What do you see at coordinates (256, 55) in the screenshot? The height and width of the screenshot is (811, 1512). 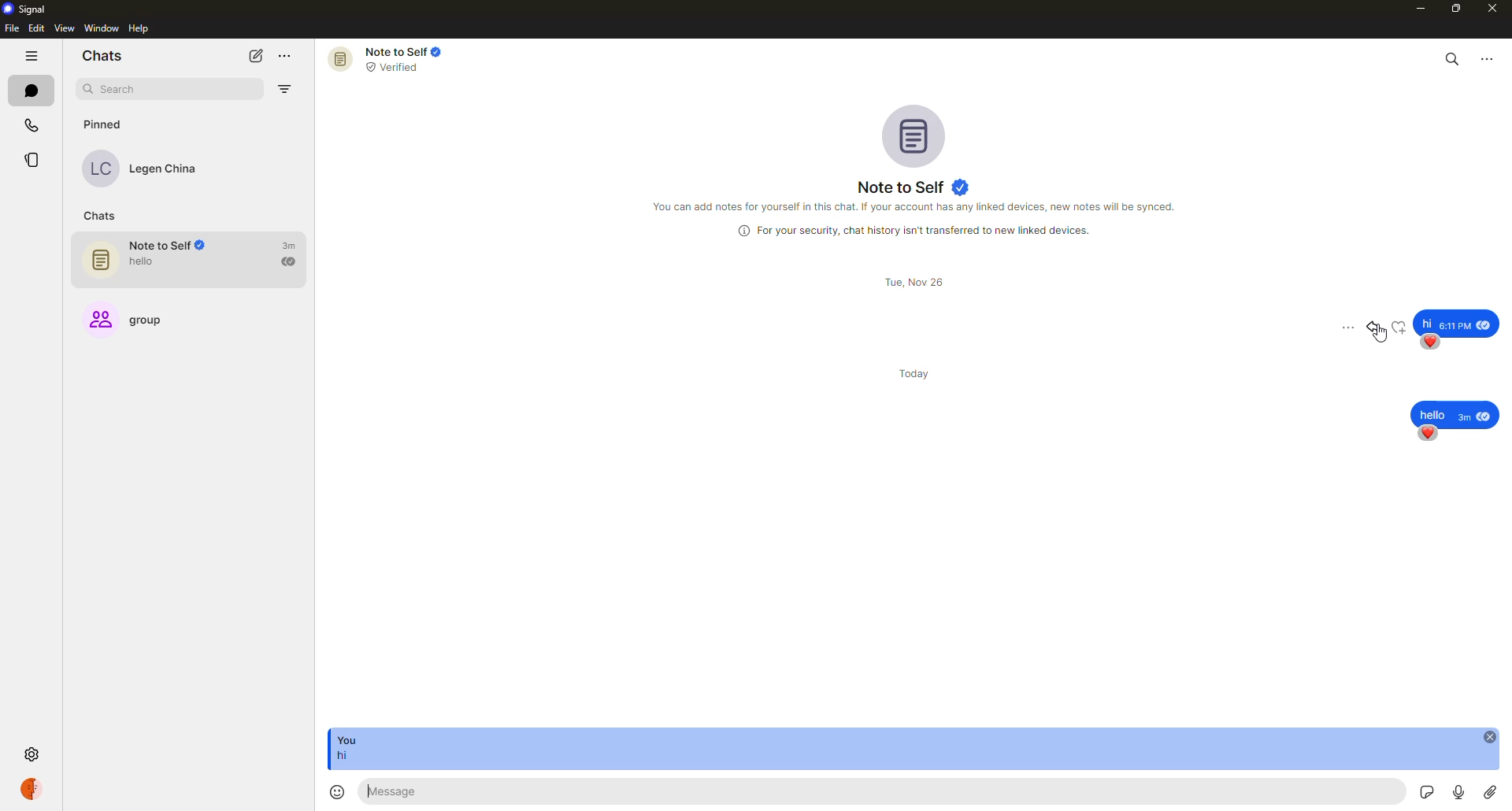 I see `new chat` at bounding box center [256, 55].